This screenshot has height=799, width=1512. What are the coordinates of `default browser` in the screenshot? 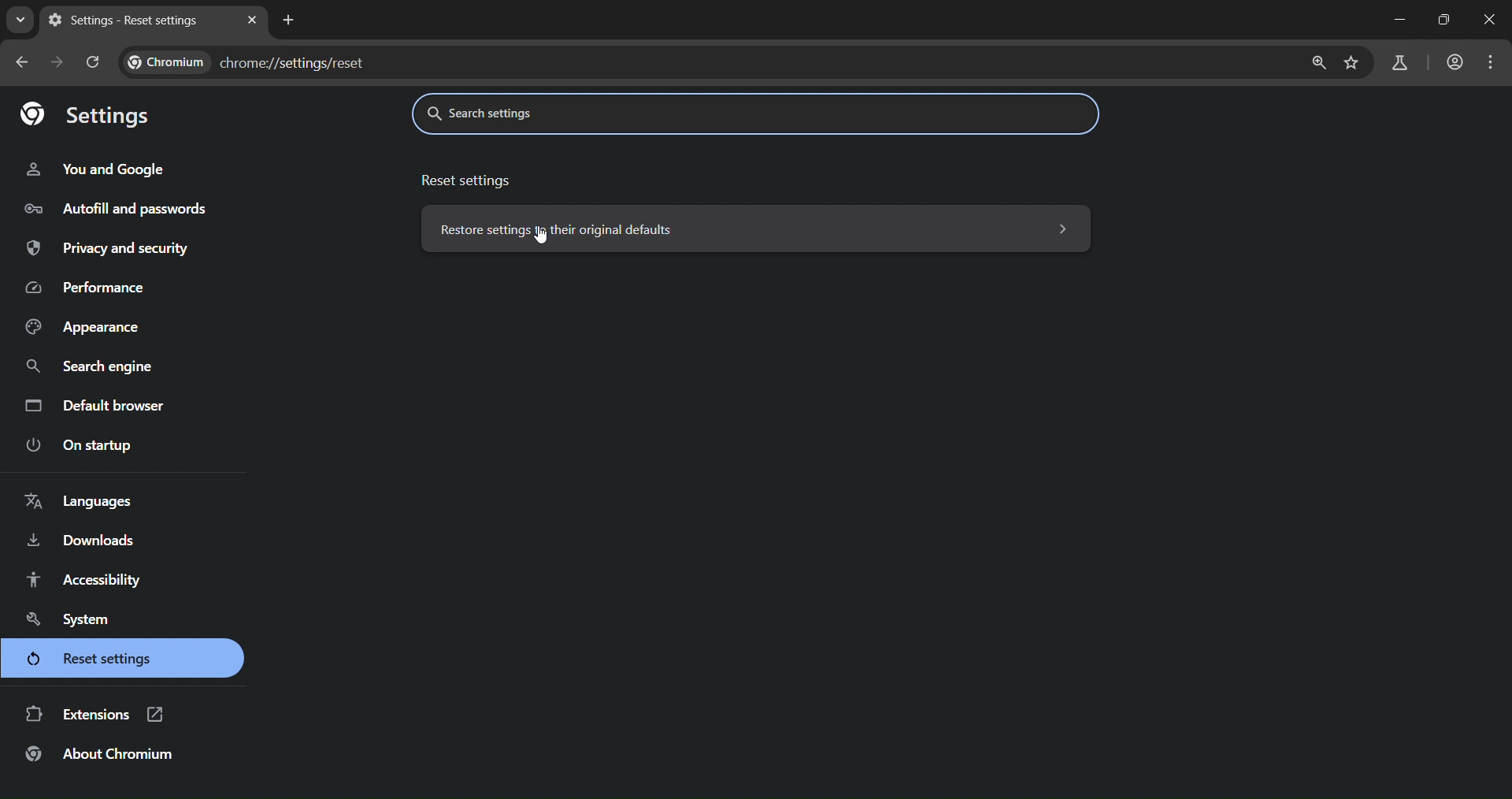 It's located at (103, 407).